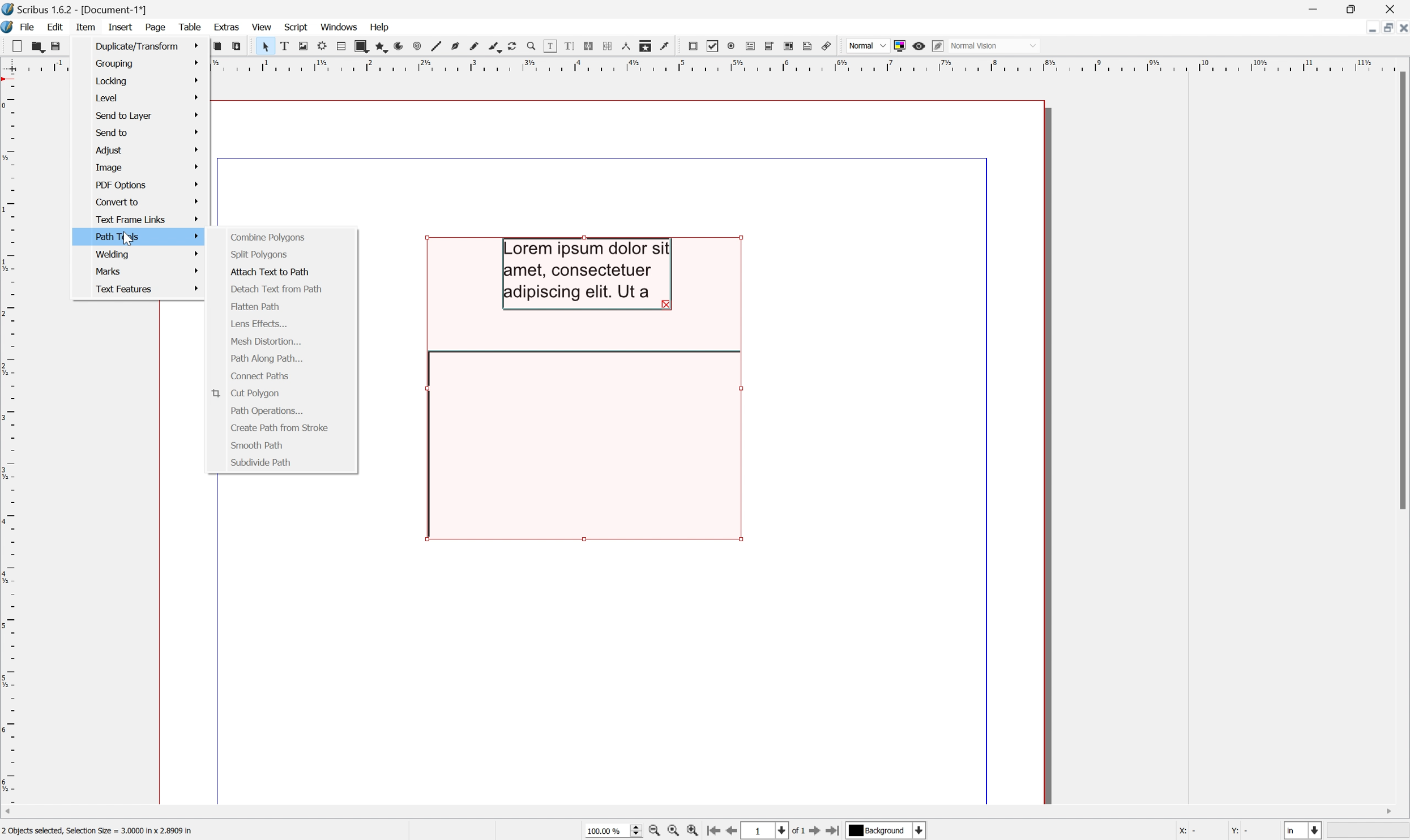  I want to click on Link annotation, so click(830, 47).